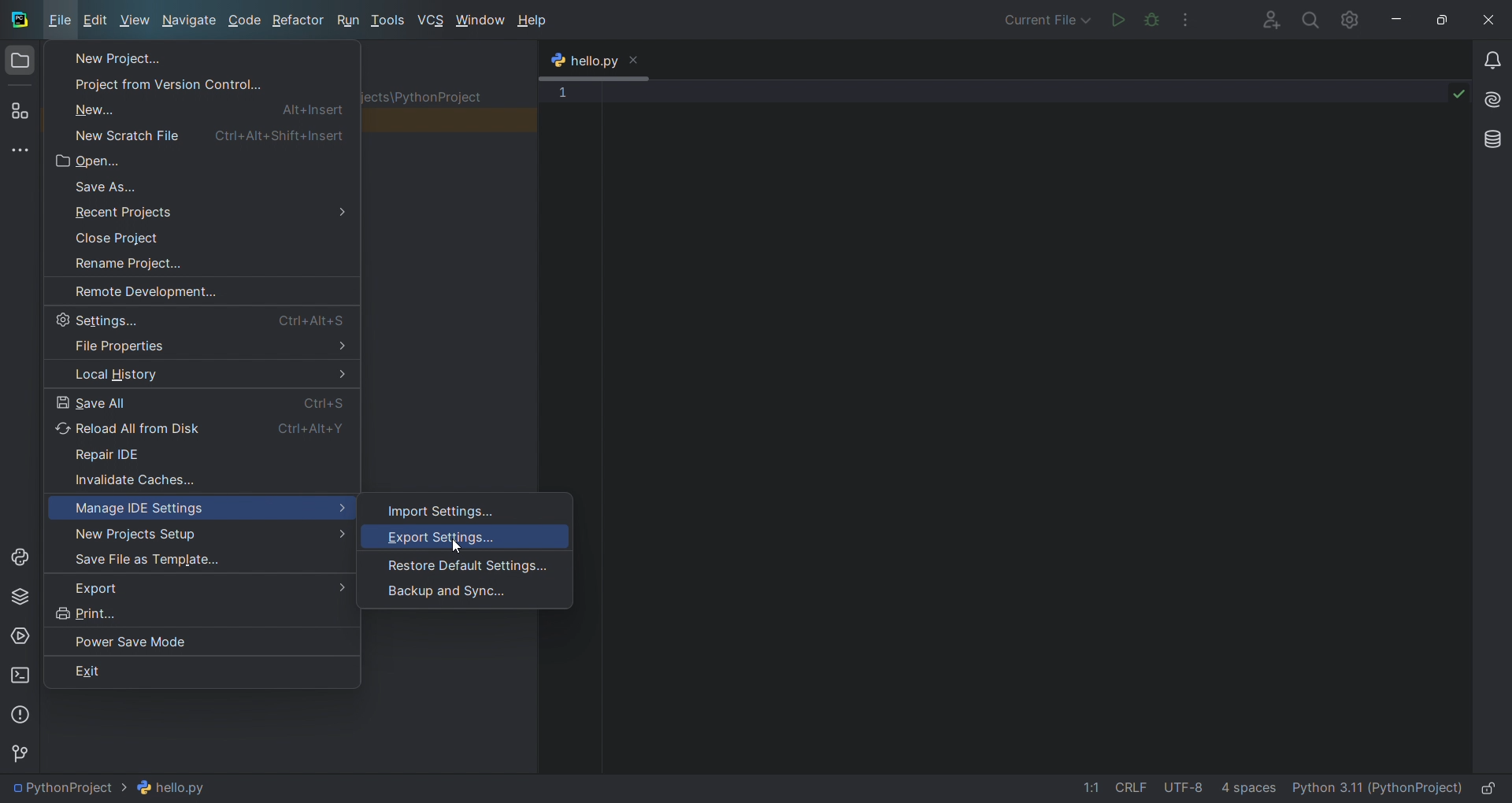  I want to click on recent project, so click(203, 210).